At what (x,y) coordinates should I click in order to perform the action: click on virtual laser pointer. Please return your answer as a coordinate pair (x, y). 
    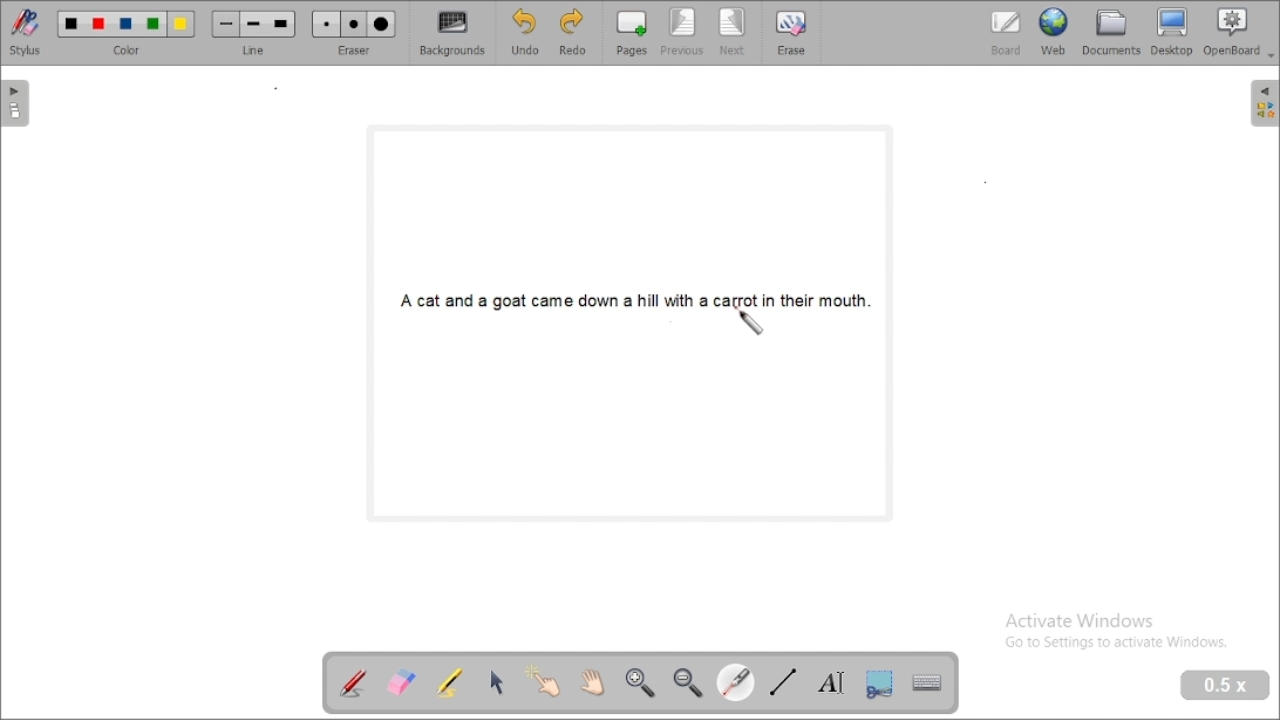
    Looking at the image, I should click on (750, 321).